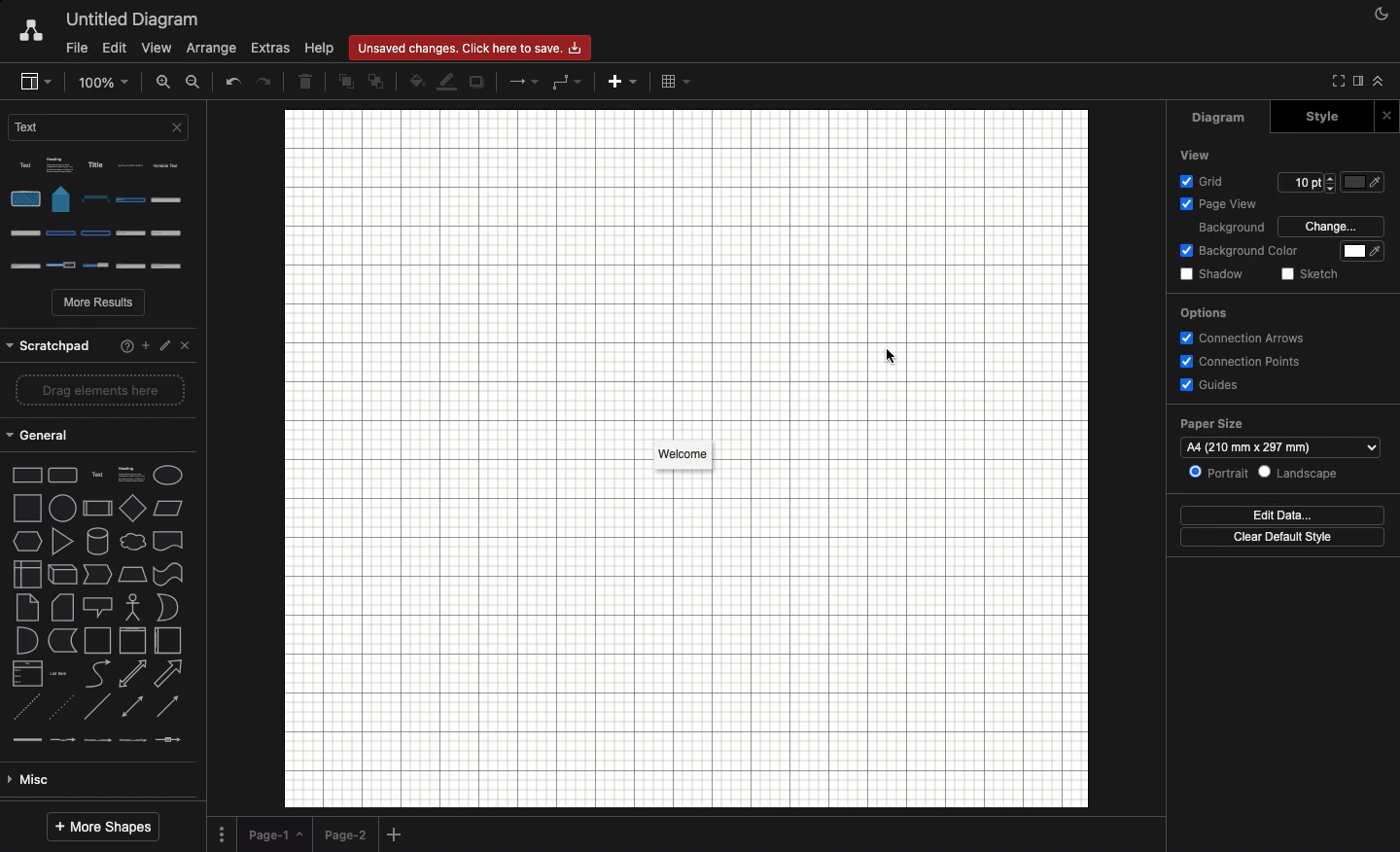 This screenshot has height=852, width=1400. Describe the element at coordinates (1221, 383) in the screenshot. I see `Guides` at that location.